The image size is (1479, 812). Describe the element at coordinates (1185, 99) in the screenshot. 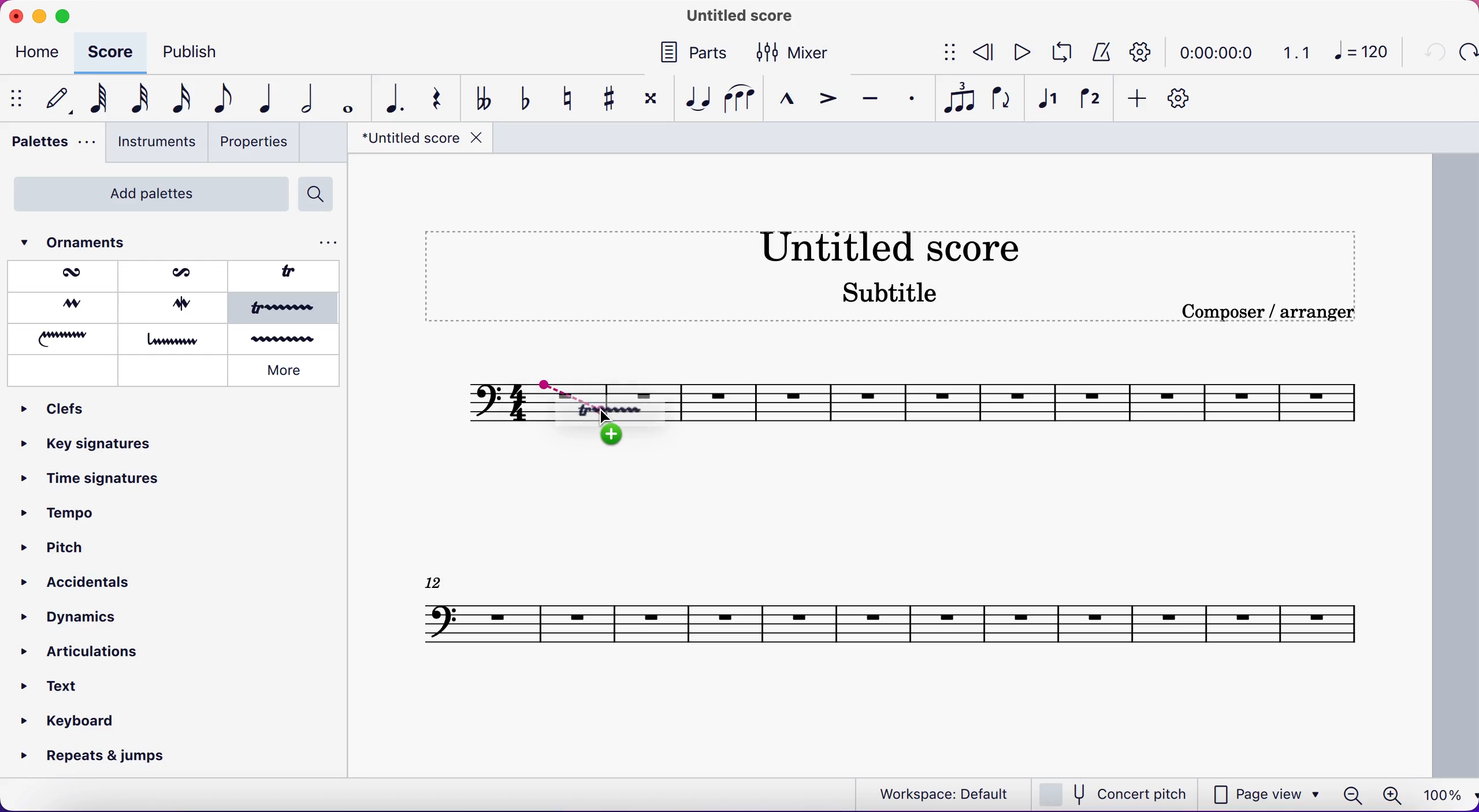

I see `customization tool` at that location.